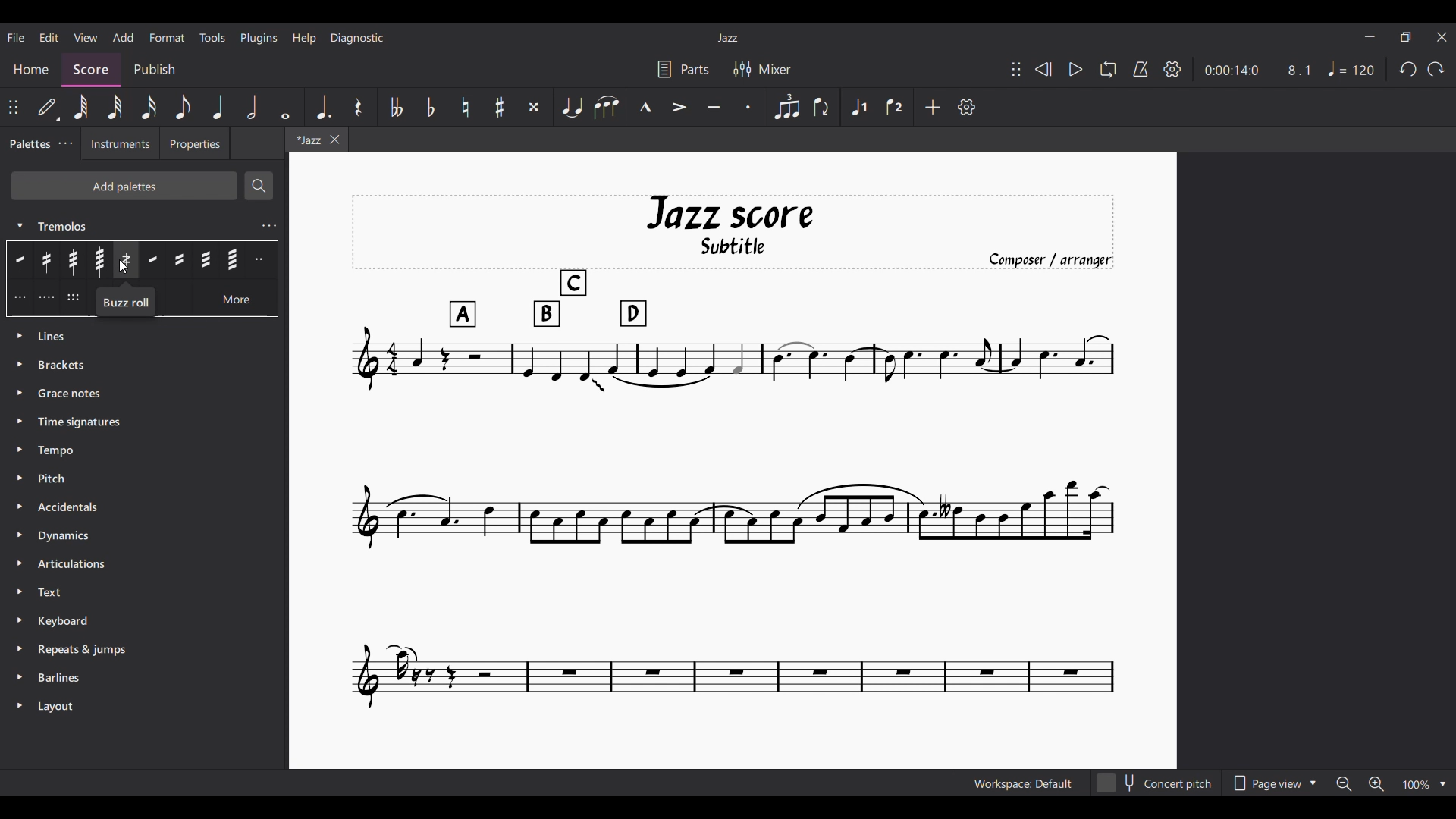  Describe the element at coordinates (143, 564) in the screenshot. I see `Articulations` at that location.